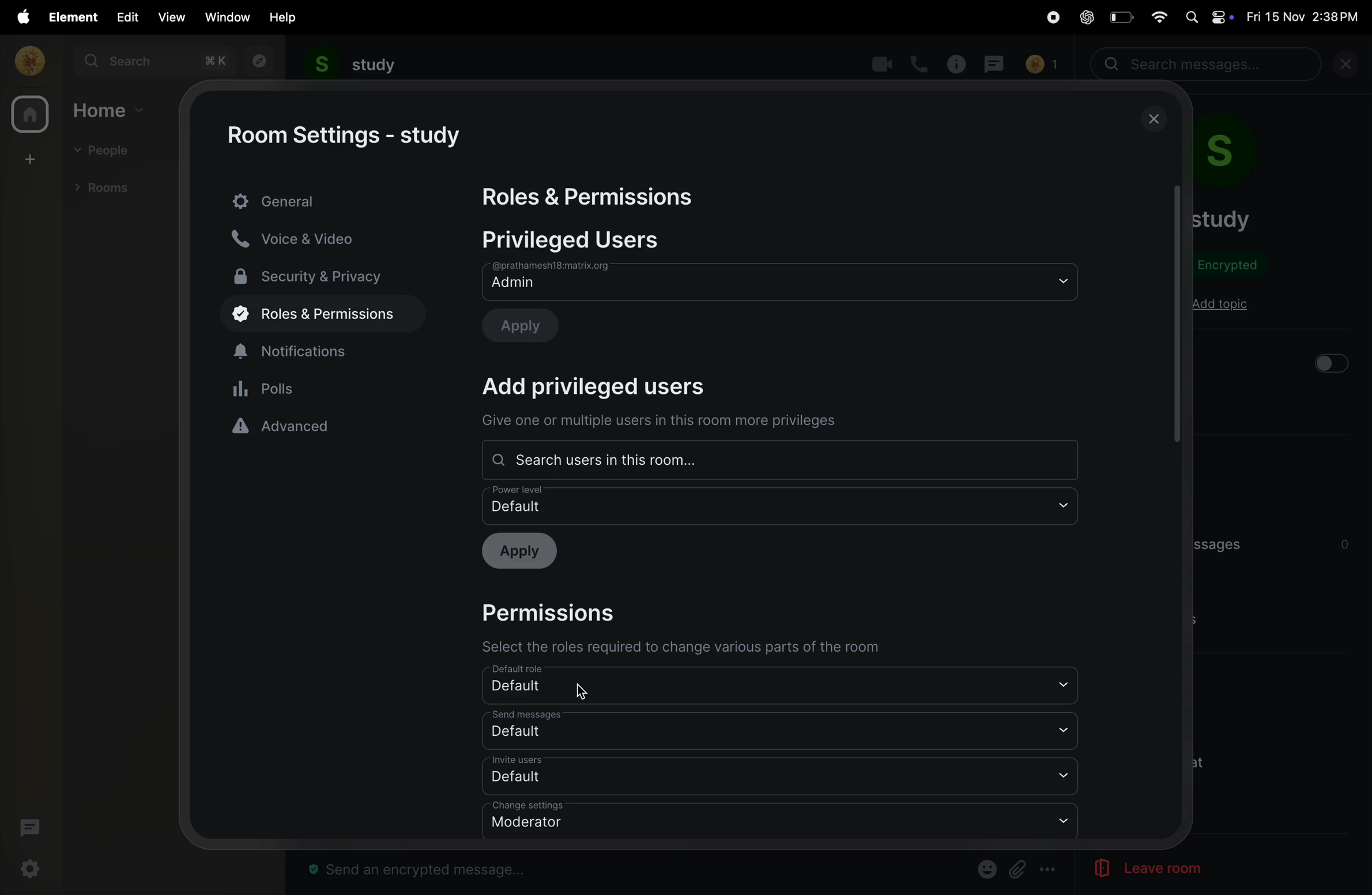  What do you see at coordinates (879, 64) in the screenshot?
I see `video call` at bounding box center [879, 64].